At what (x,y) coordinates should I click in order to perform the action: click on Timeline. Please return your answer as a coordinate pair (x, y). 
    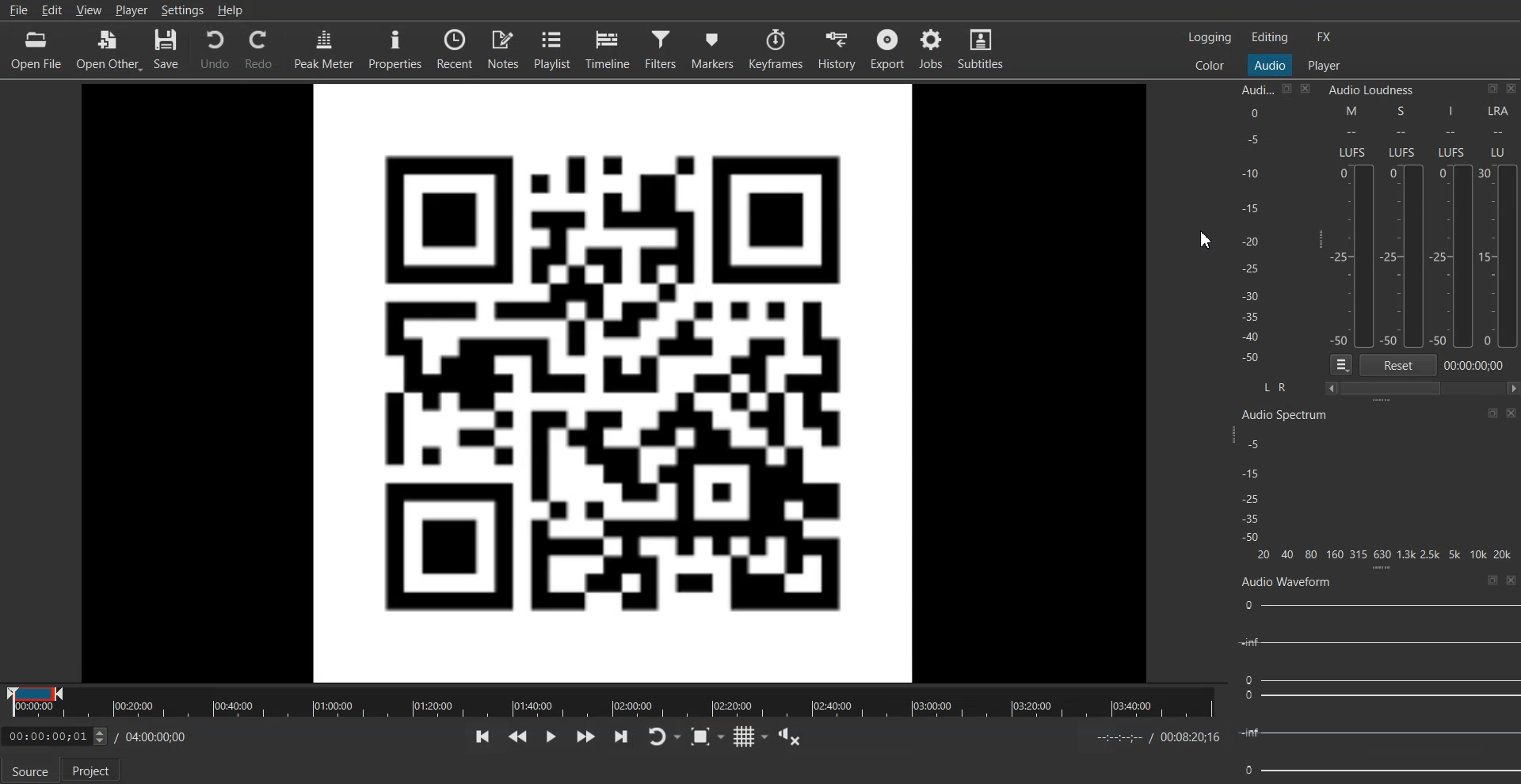
    Looking at the image, I should click on (608, 49).